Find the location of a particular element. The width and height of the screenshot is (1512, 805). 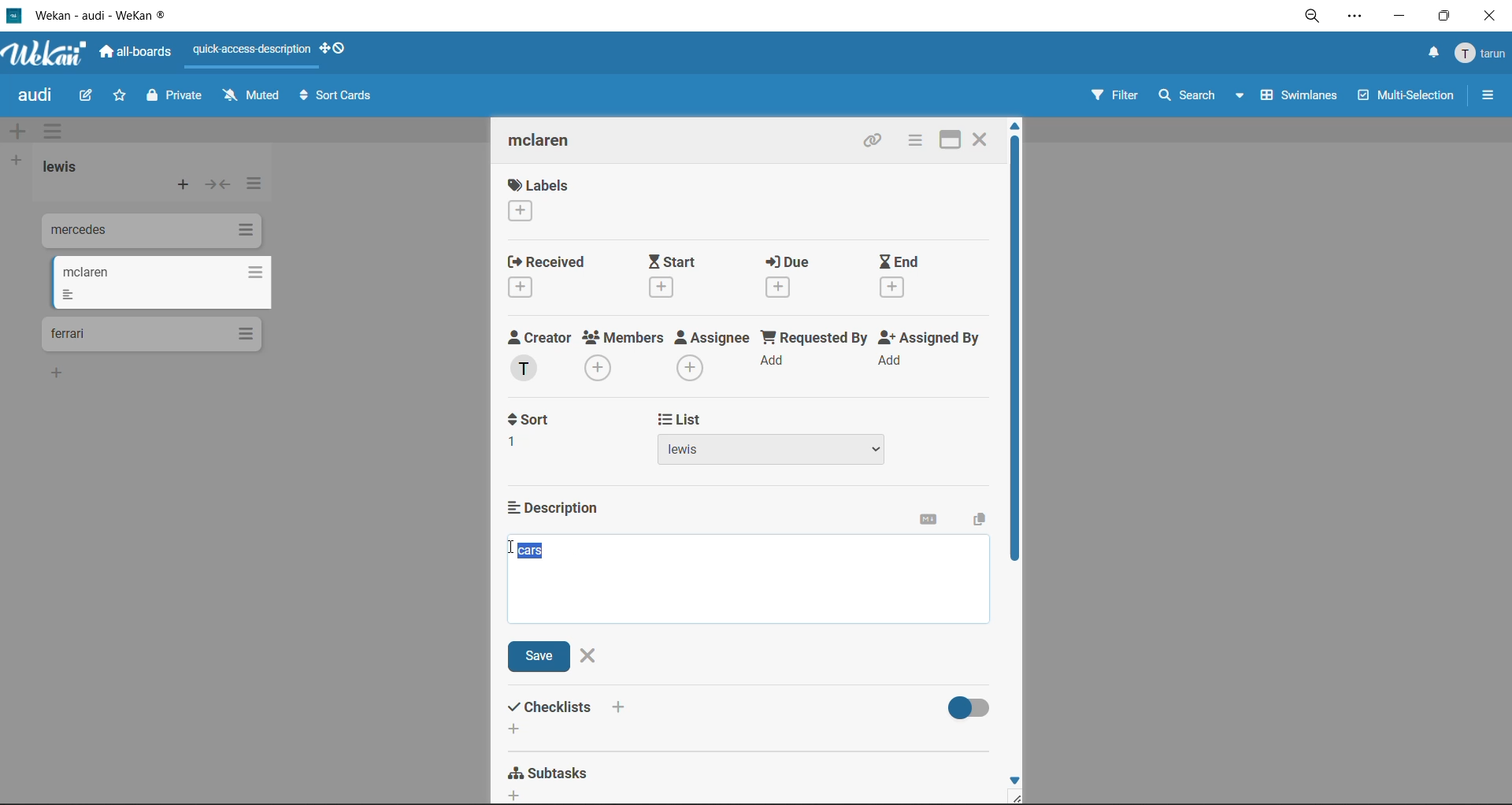

collapse is located at coordinates (217, 184).